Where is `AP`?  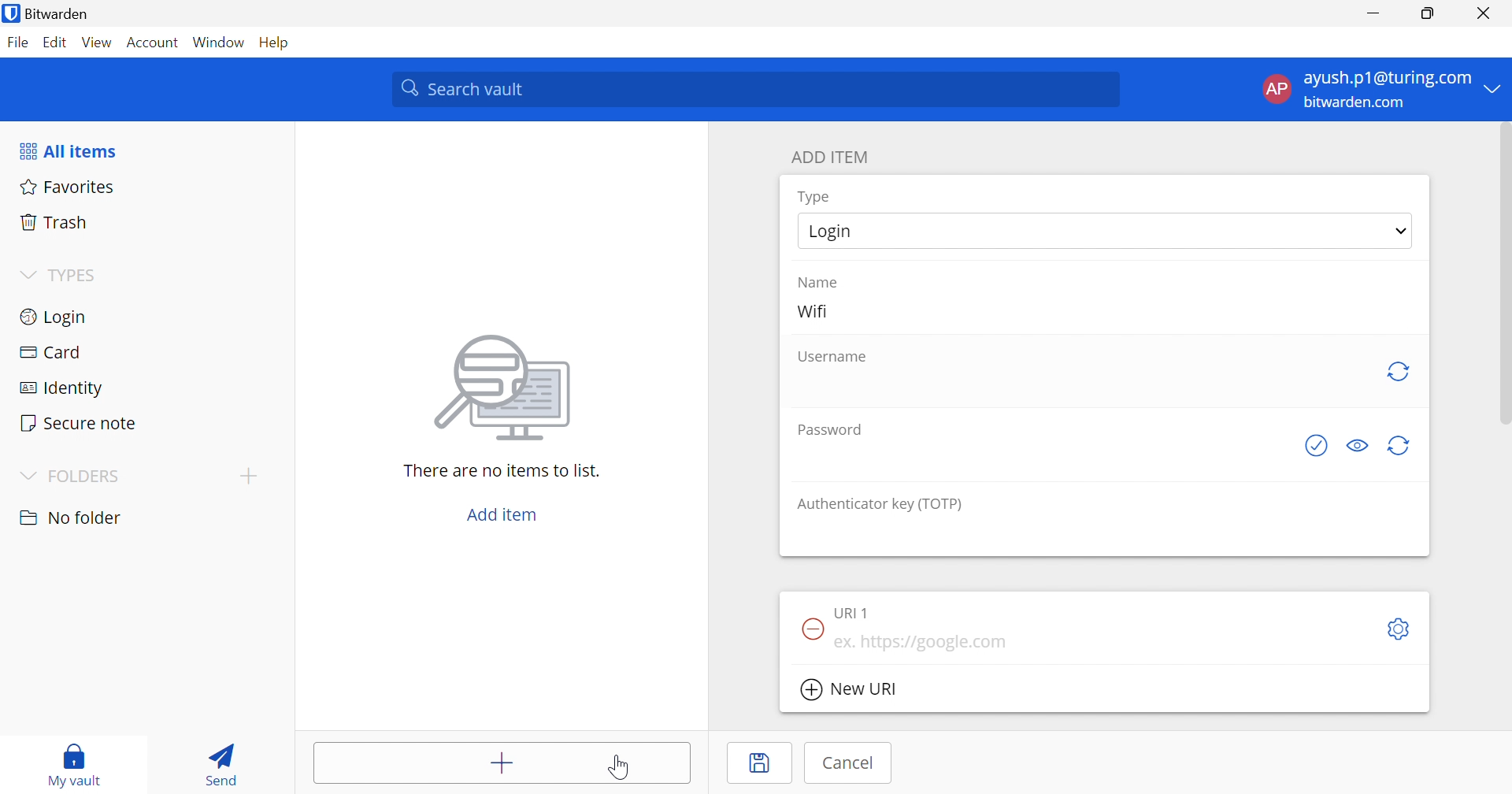
AP is located at coordinates (1275, 92).